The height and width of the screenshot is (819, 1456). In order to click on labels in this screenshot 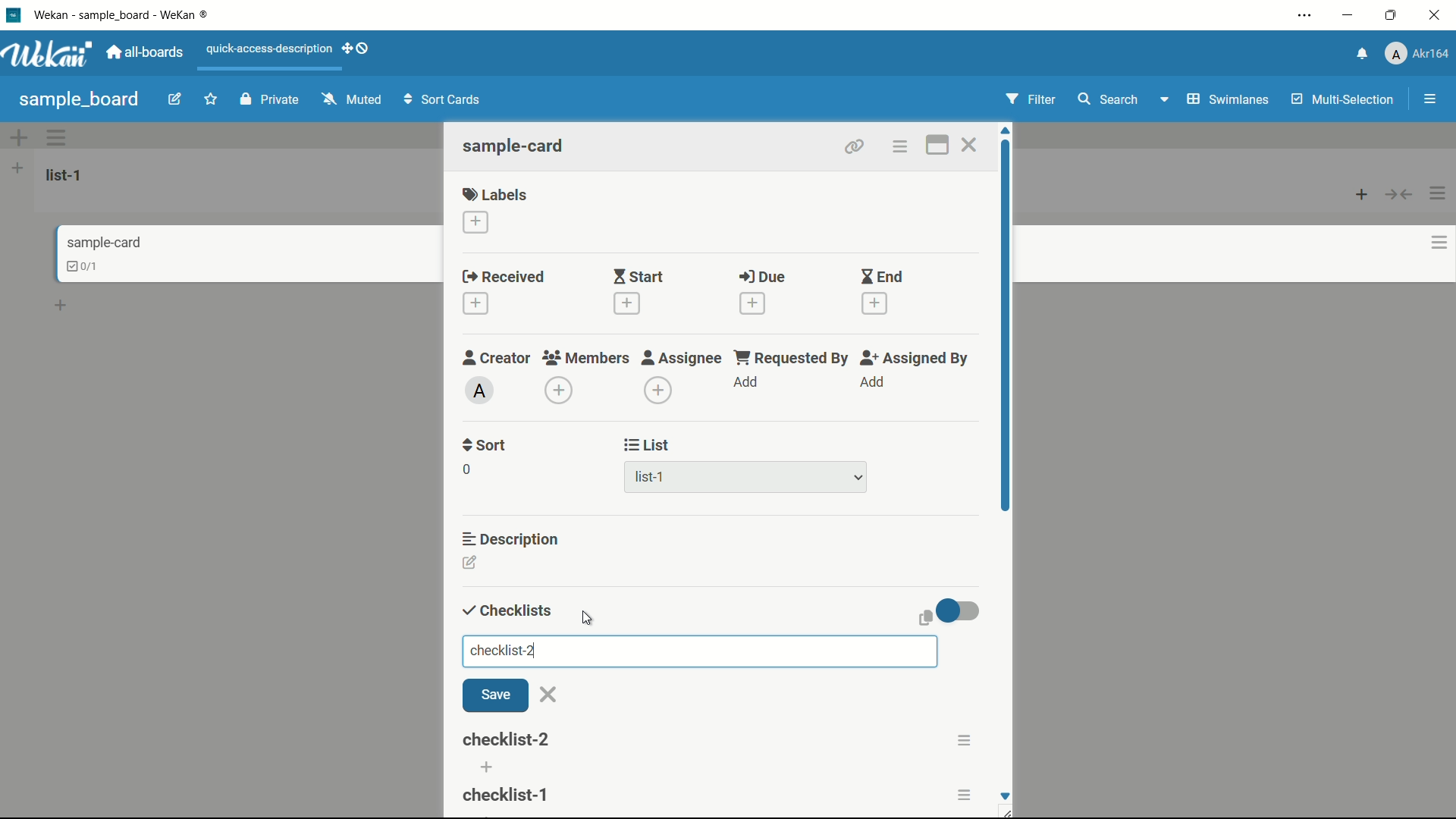, I will do `click(495, 193)`.